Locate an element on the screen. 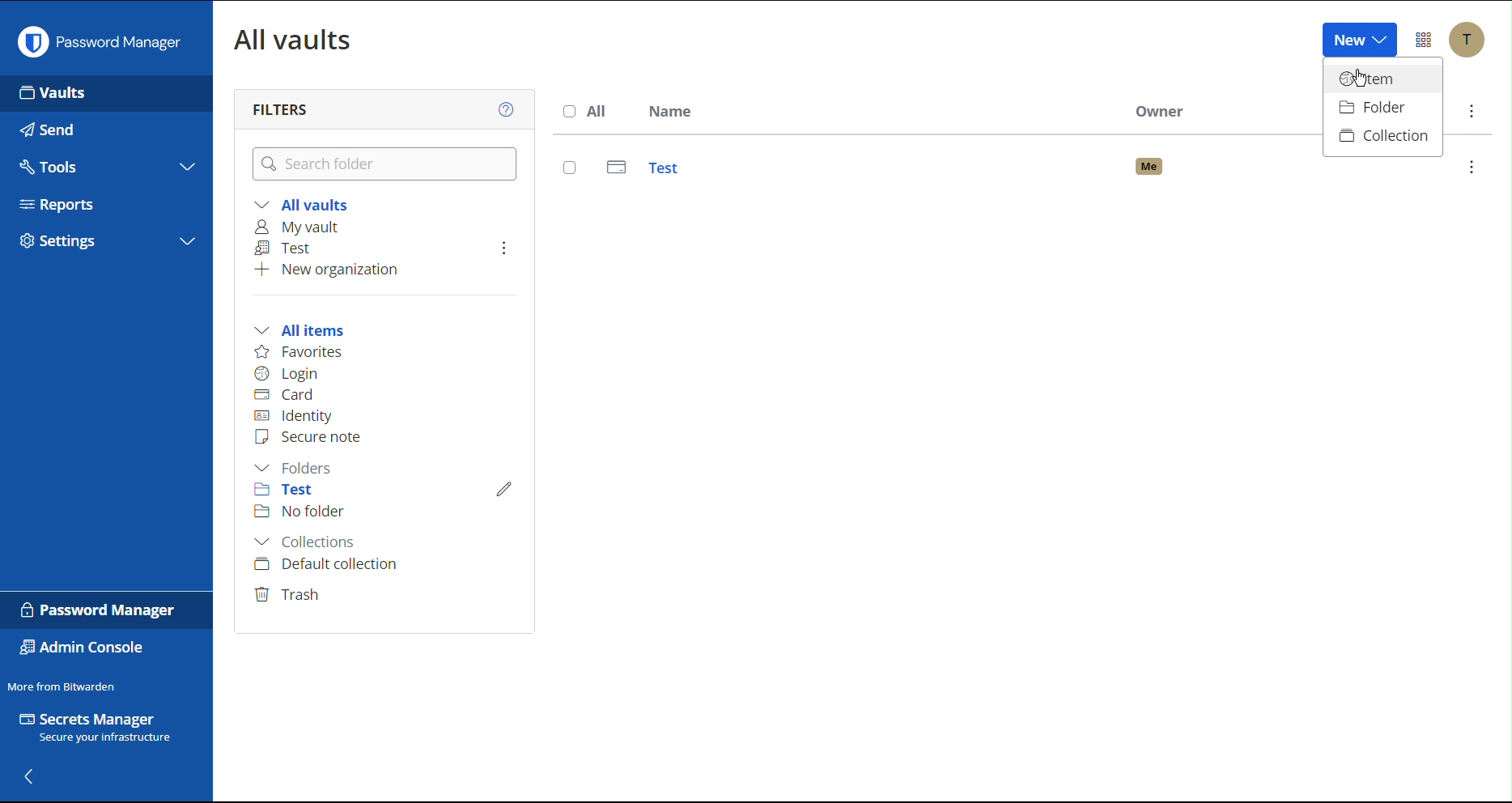 This screenshot has width=1512, height=803. Test is located at coordinates (287, 249).